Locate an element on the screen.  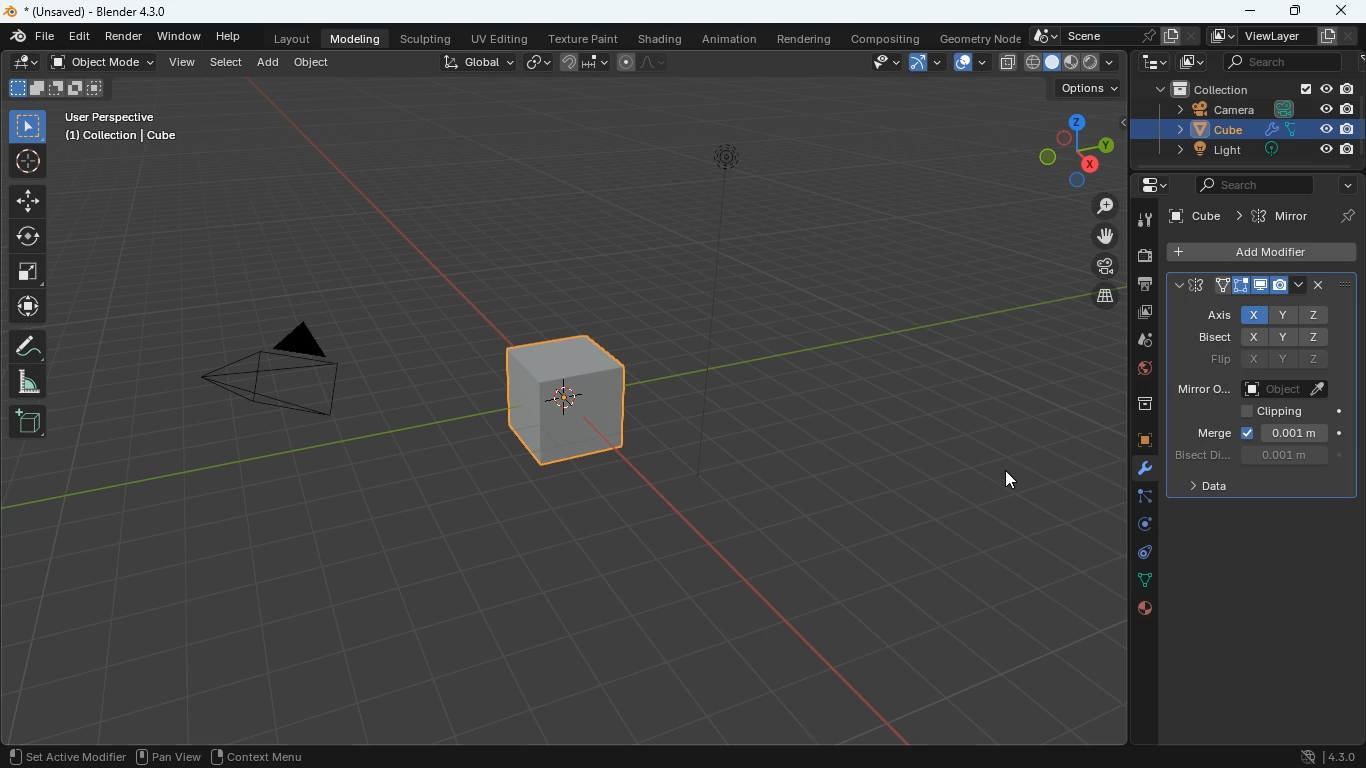
view is located at coordinates (880, 63).